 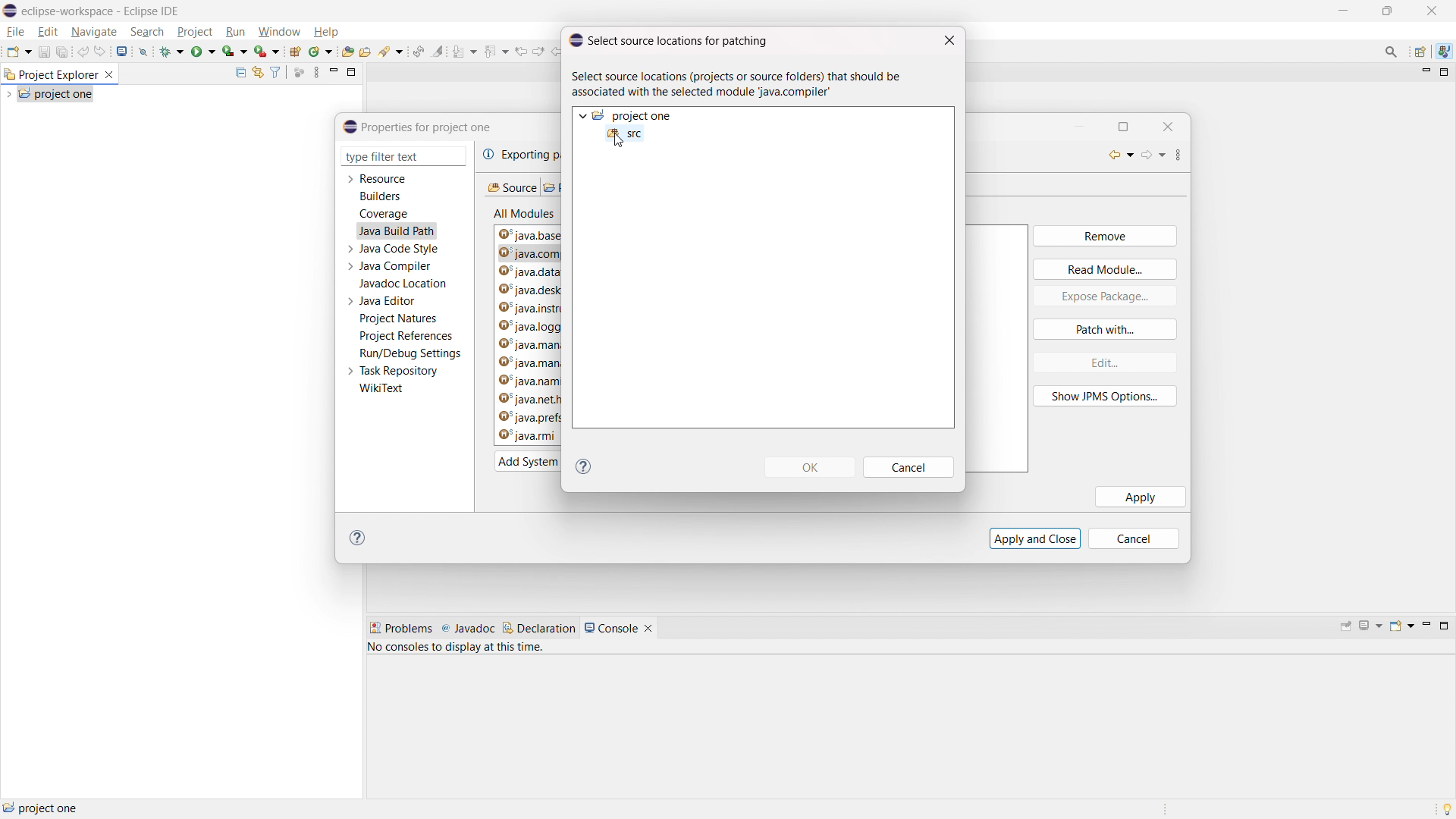 What do you see at coordinates (1388, 11) in the screenshot?
I see `minimize` at bounding box center [1388, 11].